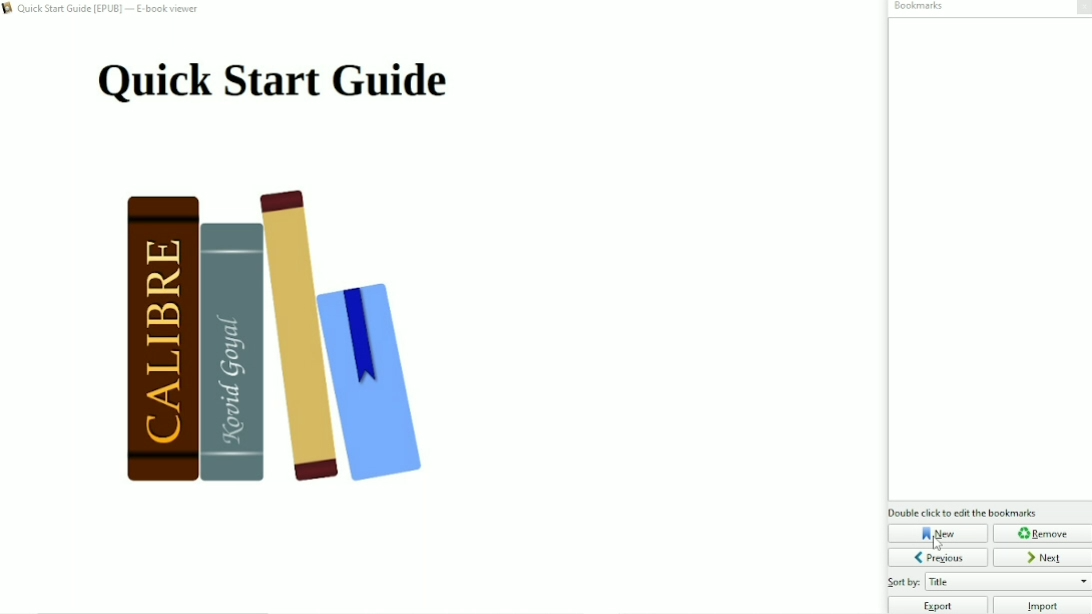  I want to click on Title, so click(272, 82).